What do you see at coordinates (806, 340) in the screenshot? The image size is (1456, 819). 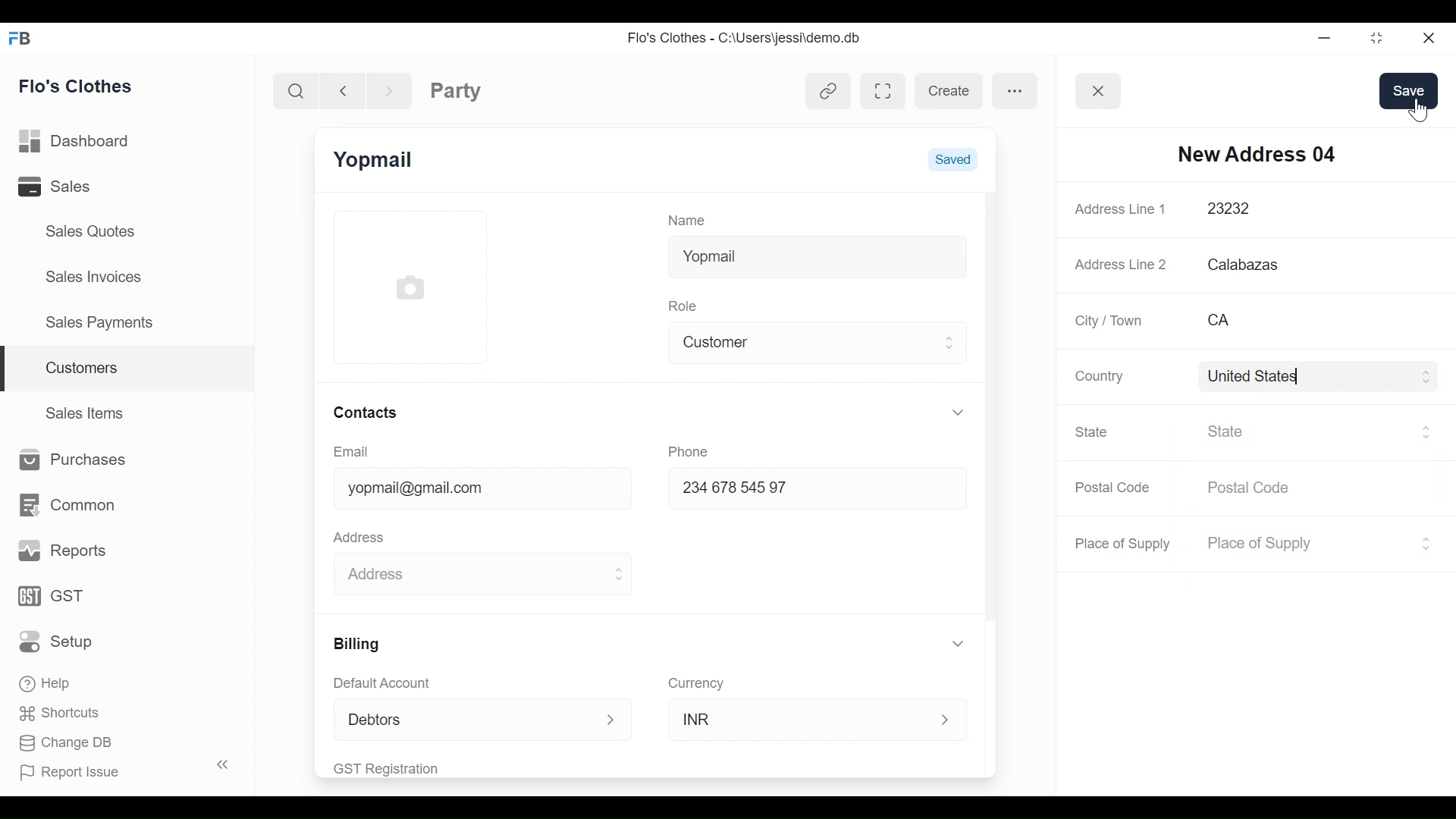 I see `Customer` at bounding box center [806, 340].